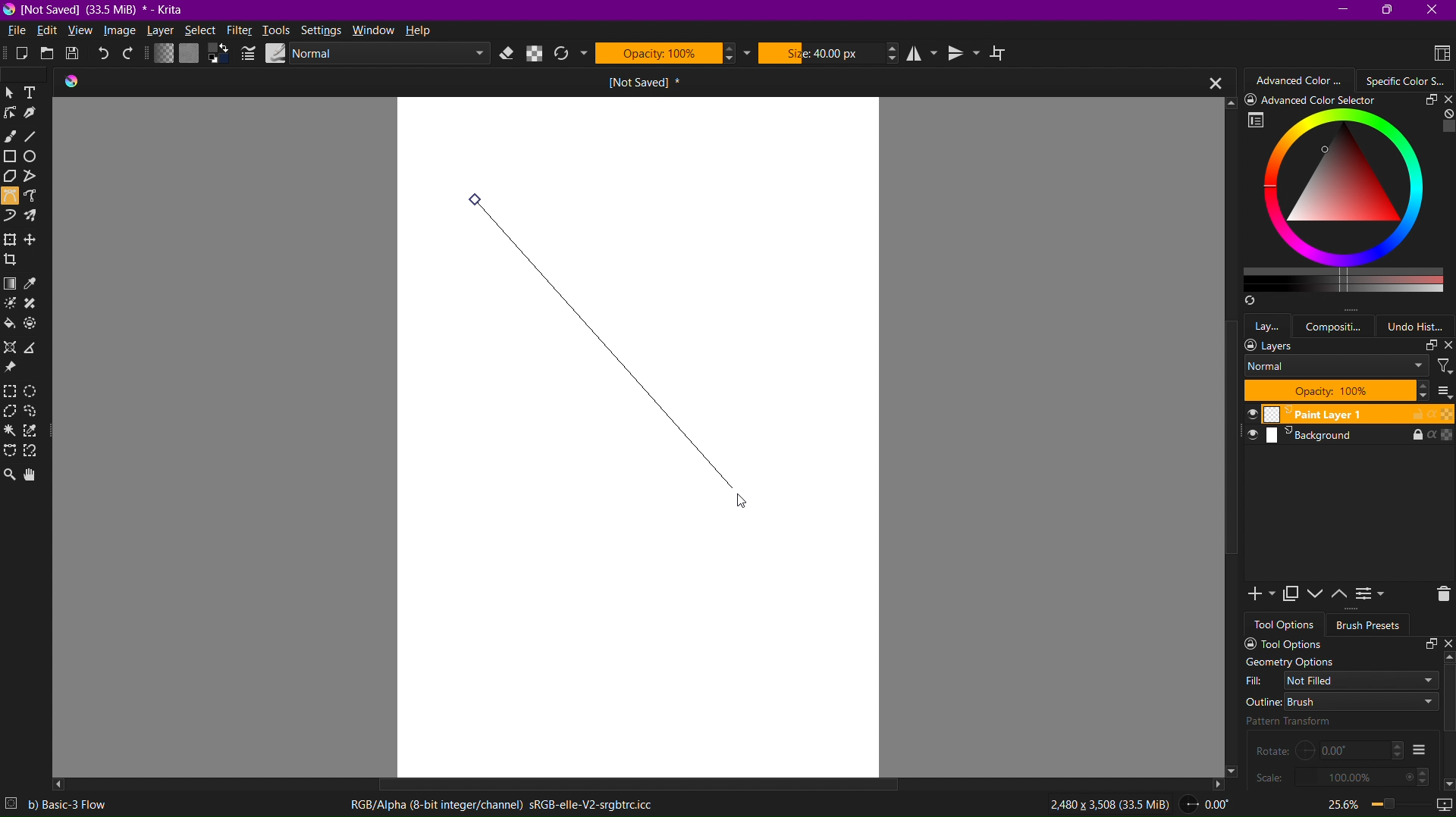 This screenshot has width=1456, height=817. What do you see at coordinates (11, 217) in the screenshot?
I see `Dynamic Brush Tool` at bounding box center [11, 217].